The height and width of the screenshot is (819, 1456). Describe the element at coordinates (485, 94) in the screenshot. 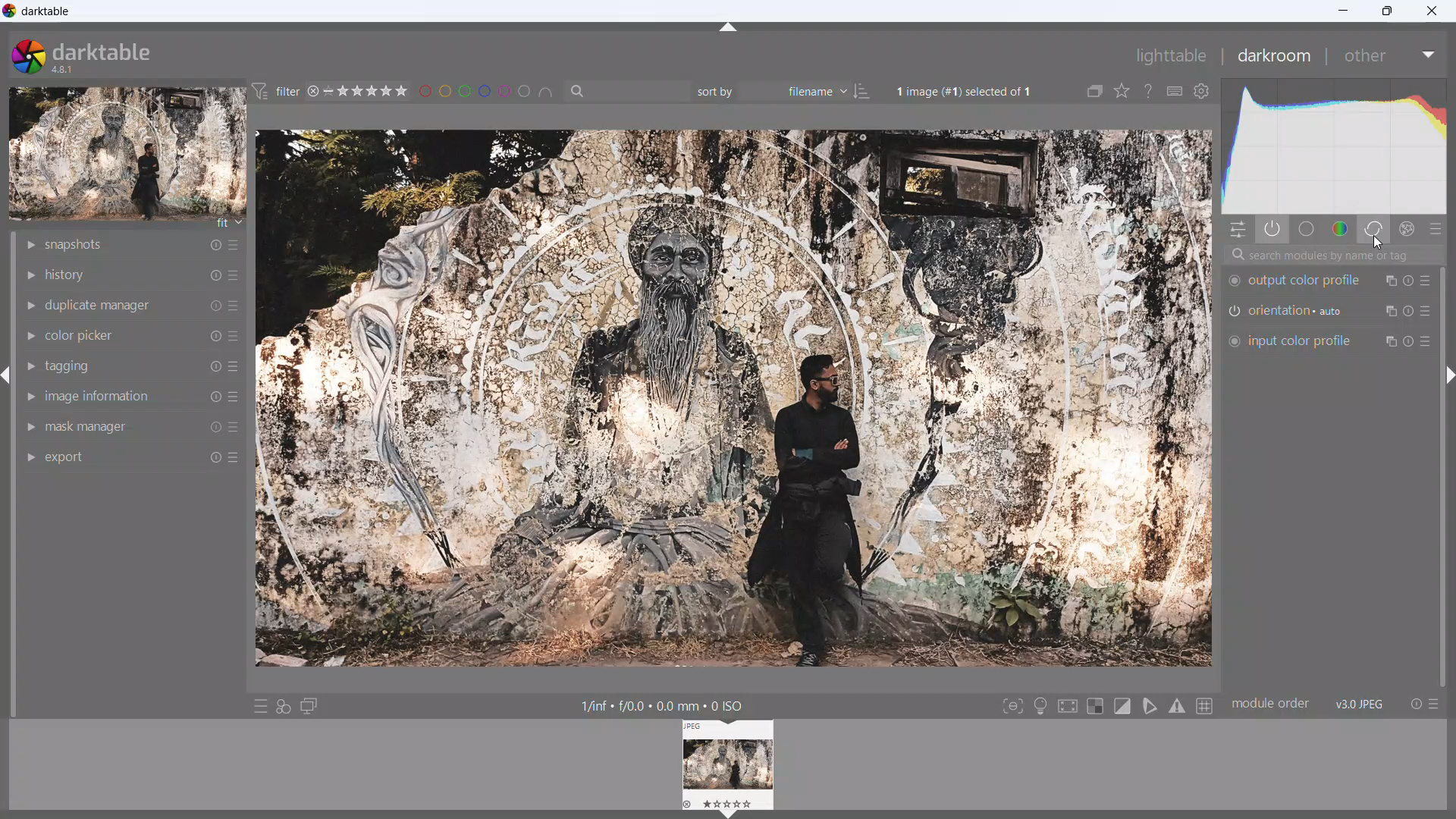

I see `filter images by color level` at that location.